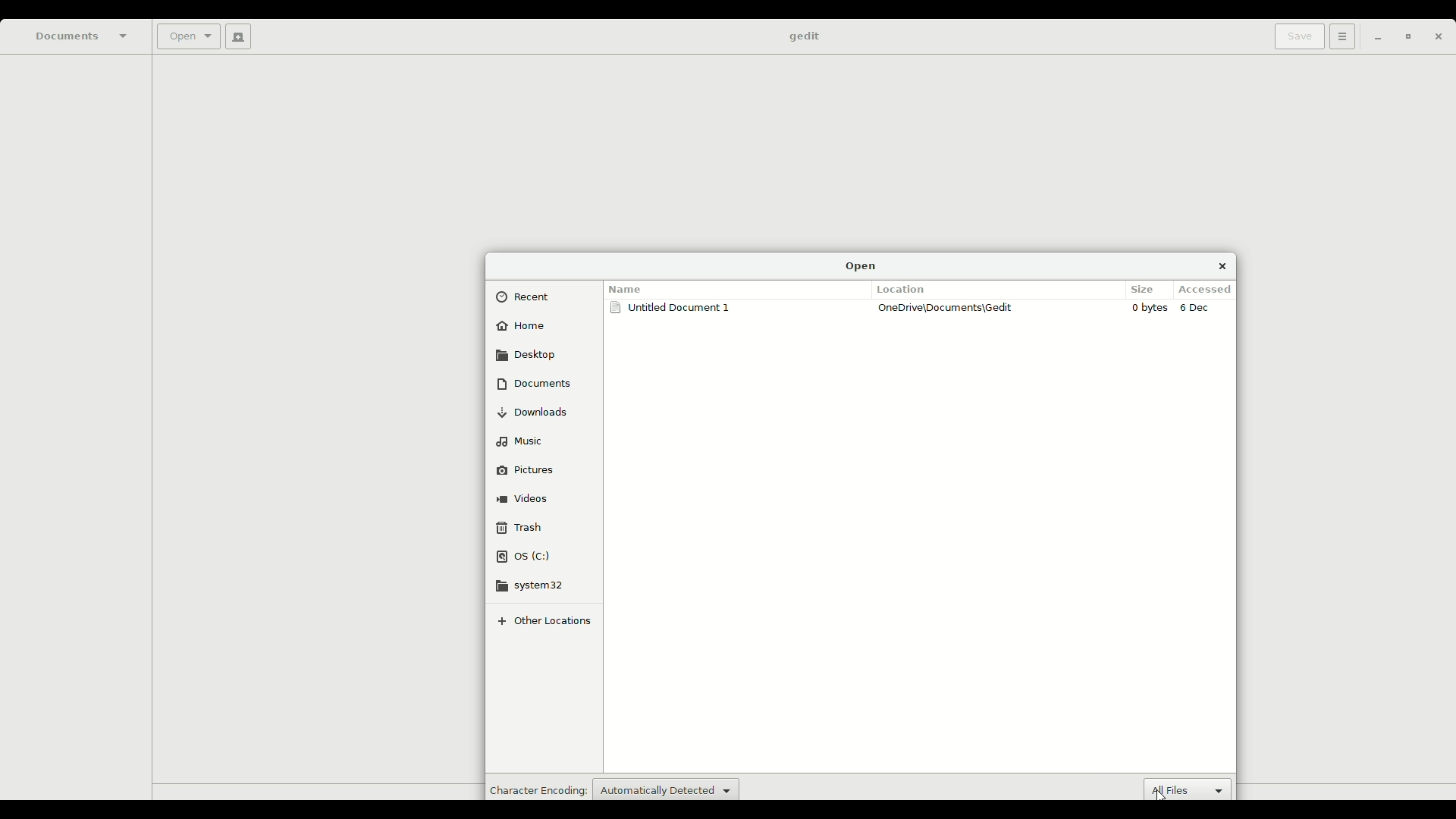 Image resolution: width=1456 pixels, height=819 pixels. I want to click on Recent, so click(529, 297).